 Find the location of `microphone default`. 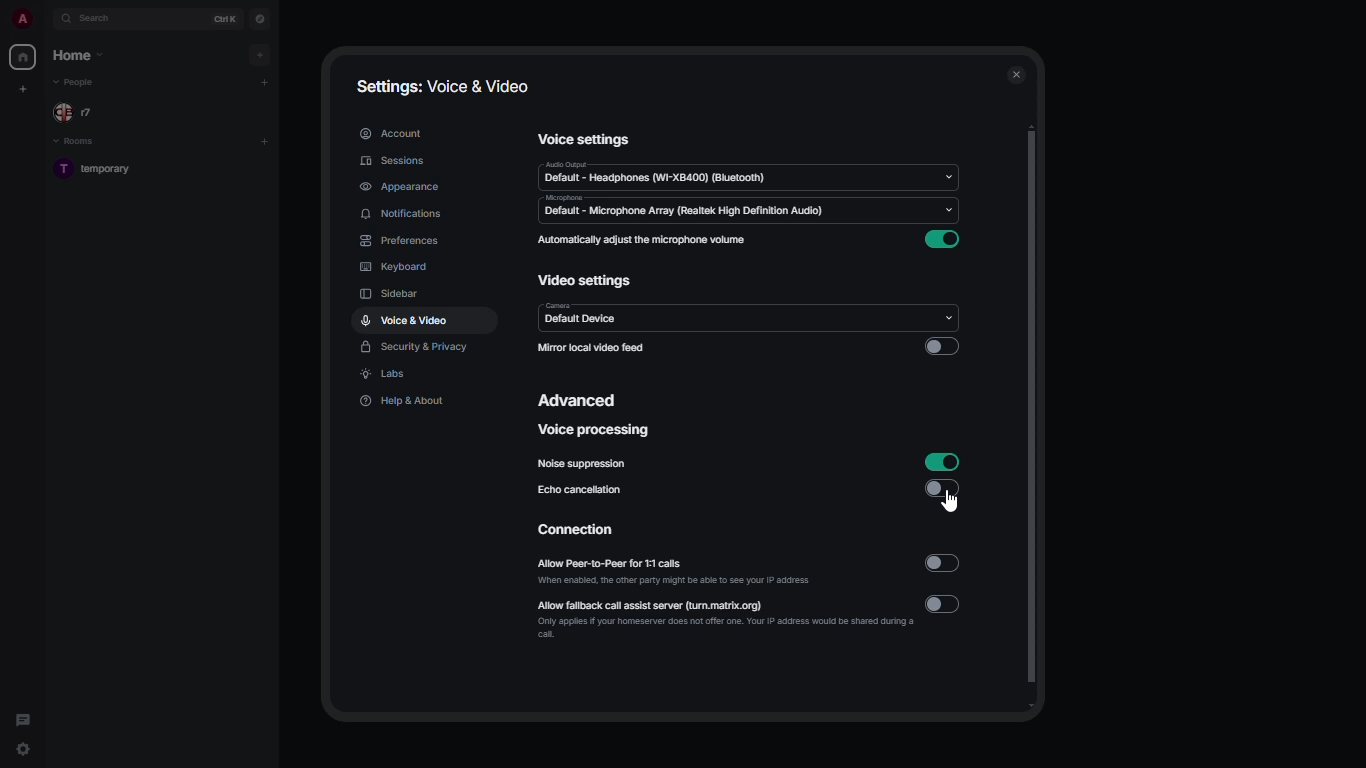

microphone default is located at coordinates (685, 208).